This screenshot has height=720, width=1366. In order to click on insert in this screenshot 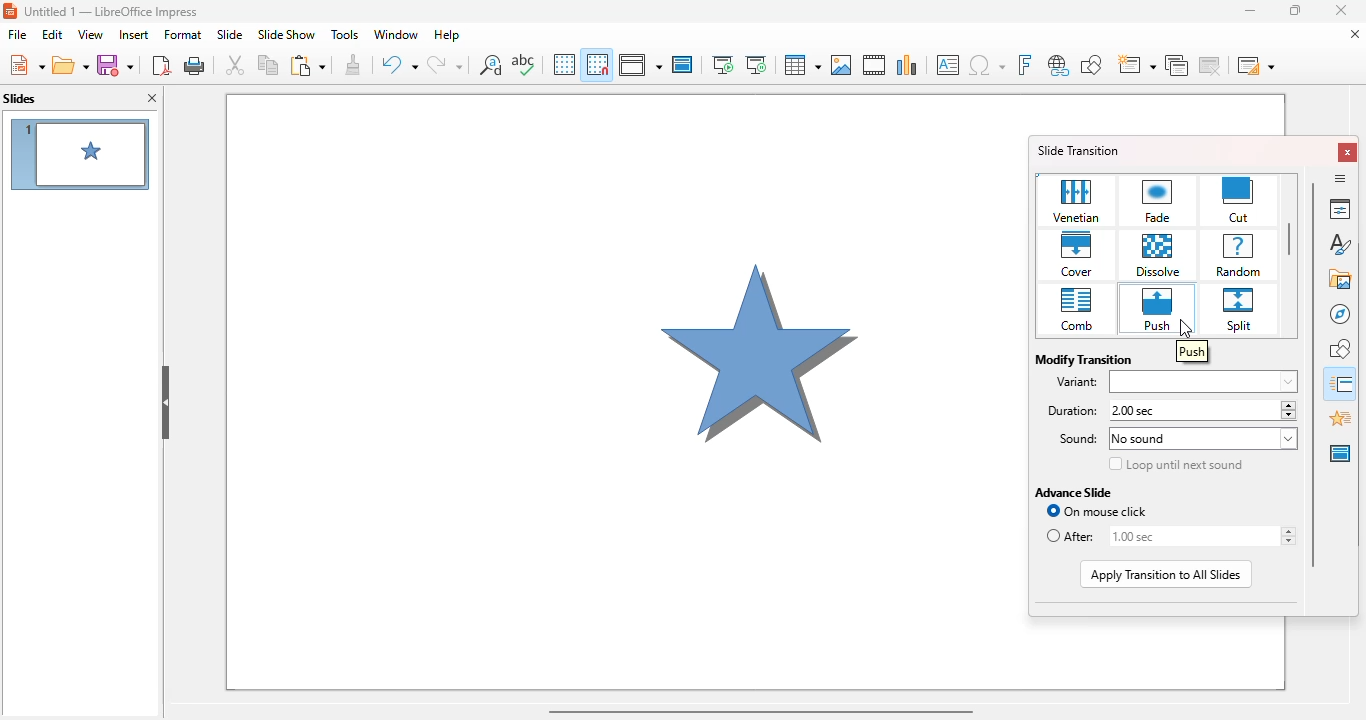, I will do `click(135, 34)`.